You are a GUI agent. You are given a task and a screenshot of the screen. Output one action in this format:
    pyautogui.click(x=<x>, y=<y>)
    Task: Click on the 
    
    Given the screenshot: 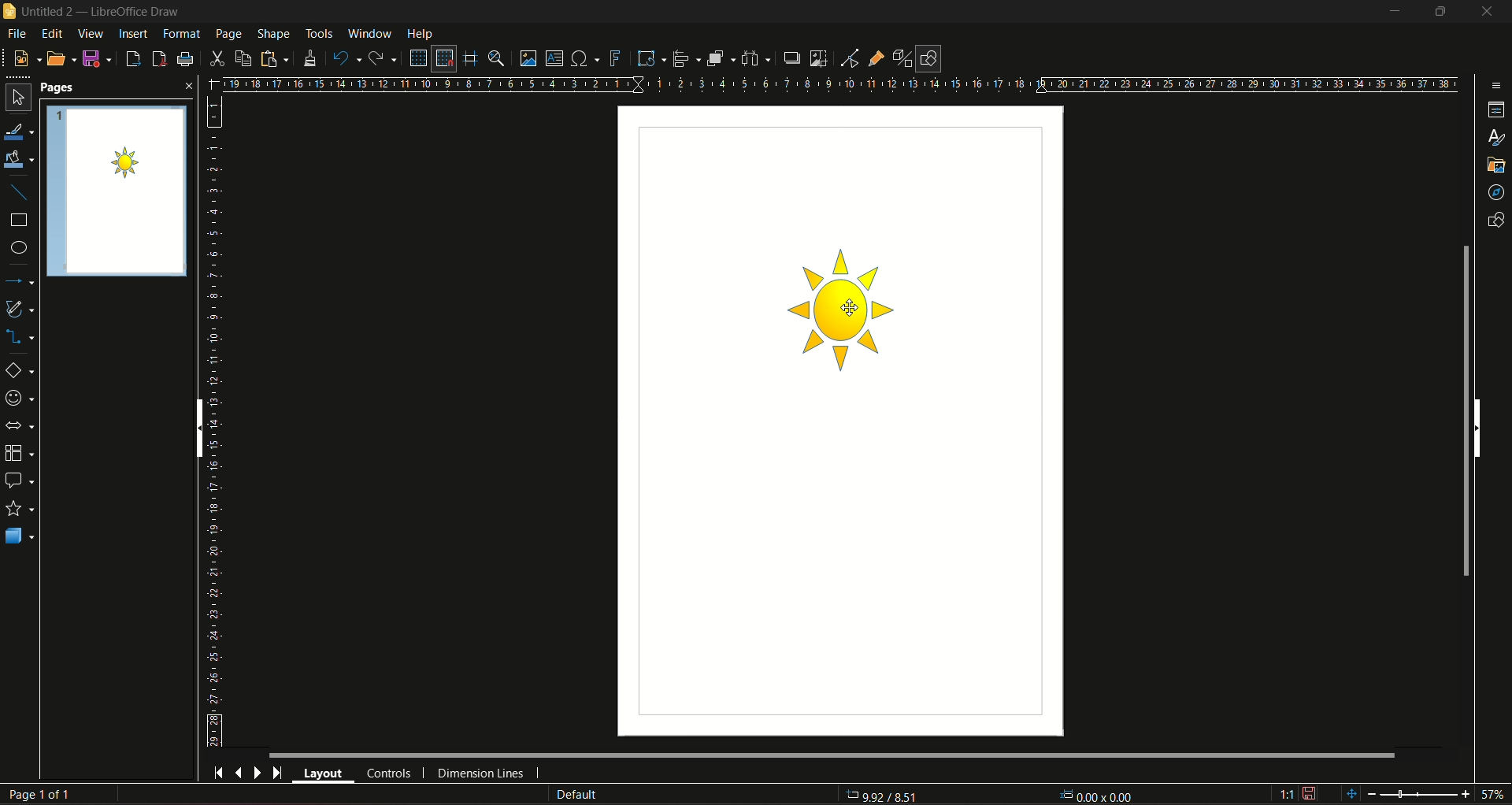 What is the action you would take?
    pyautogui.click(x=1425, y=794)
    